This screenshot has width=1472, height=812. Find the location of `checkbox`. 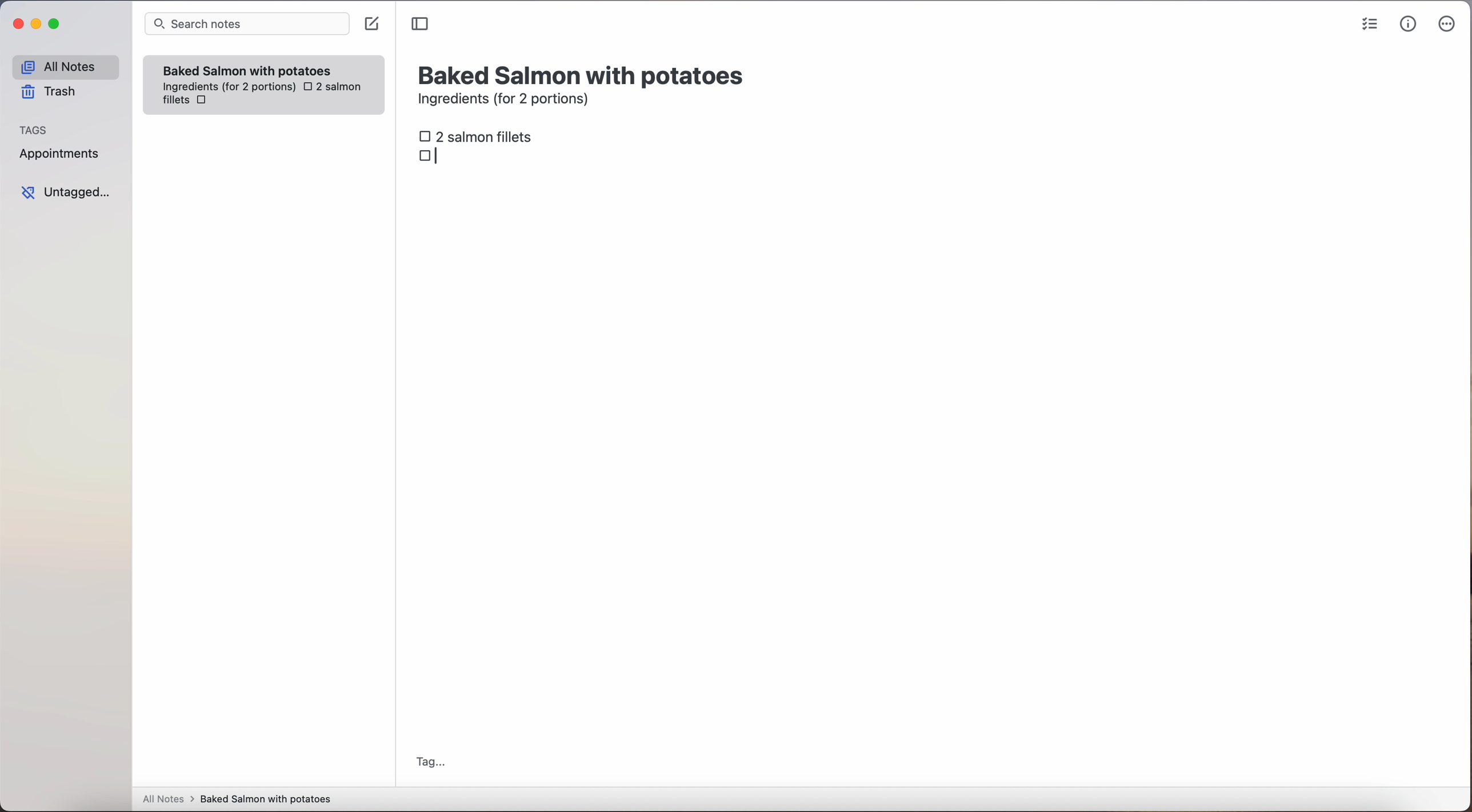

checkbox is located at coordinates (433, 156).